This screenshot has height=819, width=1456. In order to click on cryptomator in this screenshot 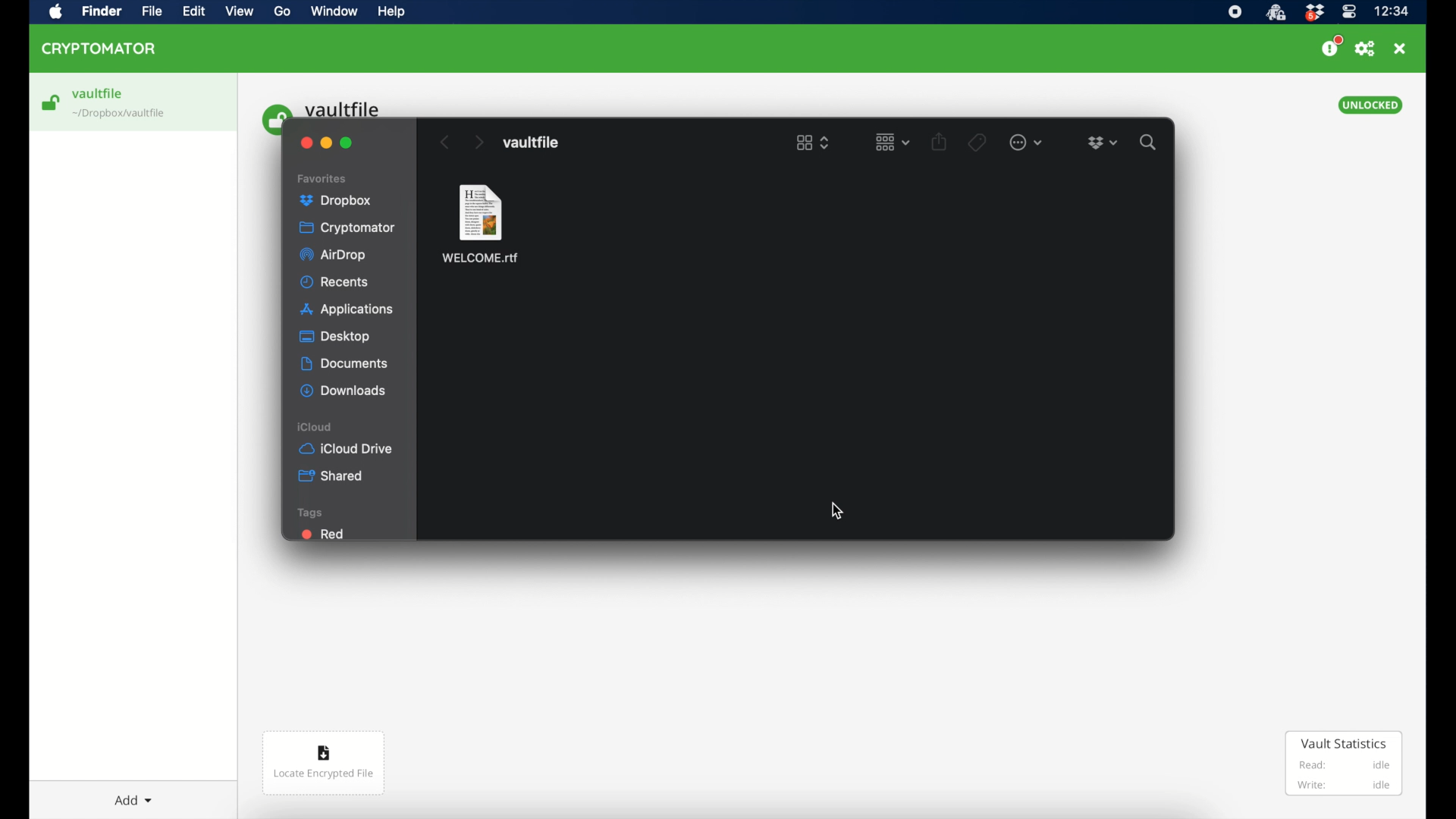, I will do `click(347, 228)`.